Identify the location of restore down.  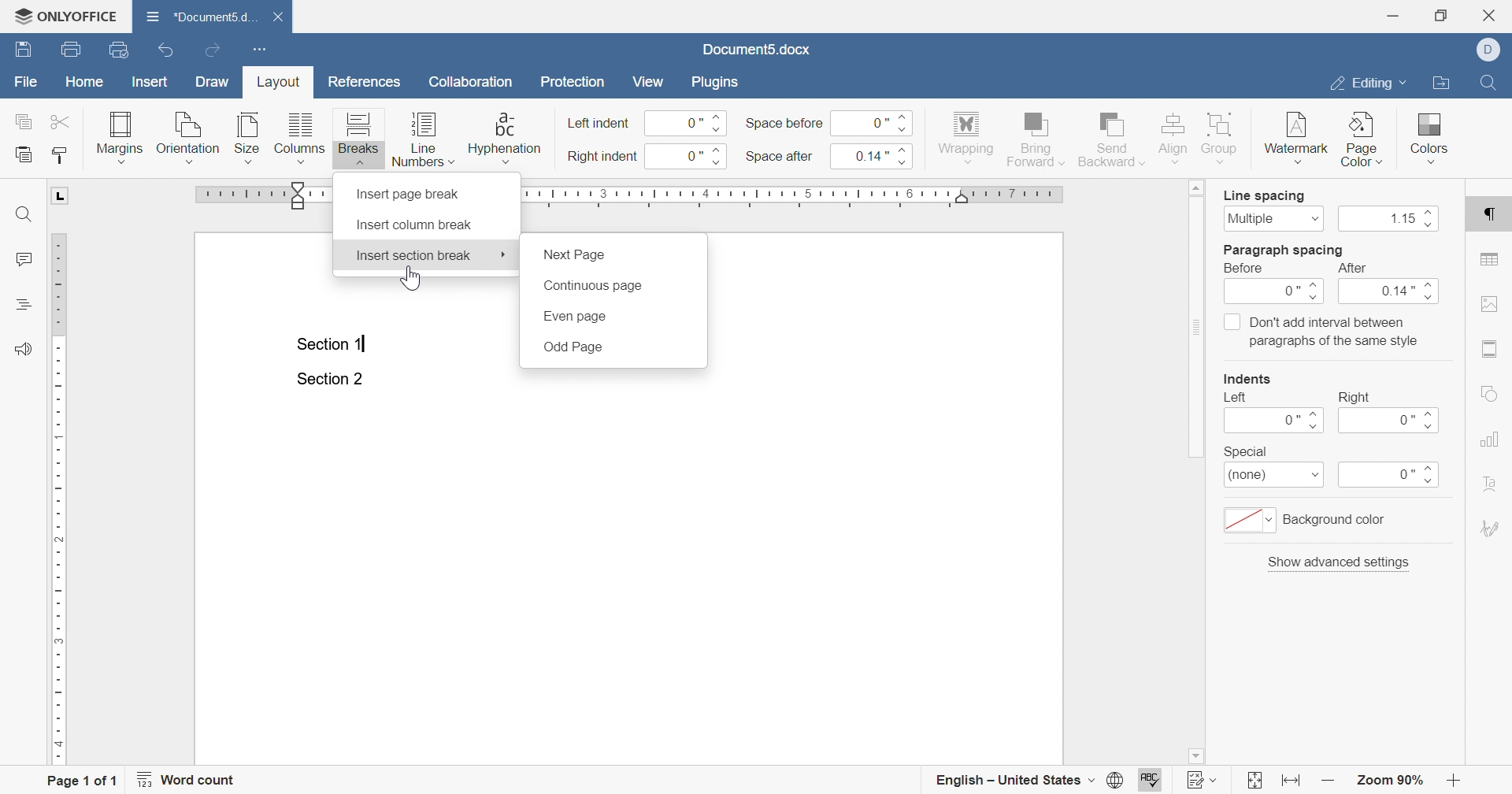
(1441, 16).